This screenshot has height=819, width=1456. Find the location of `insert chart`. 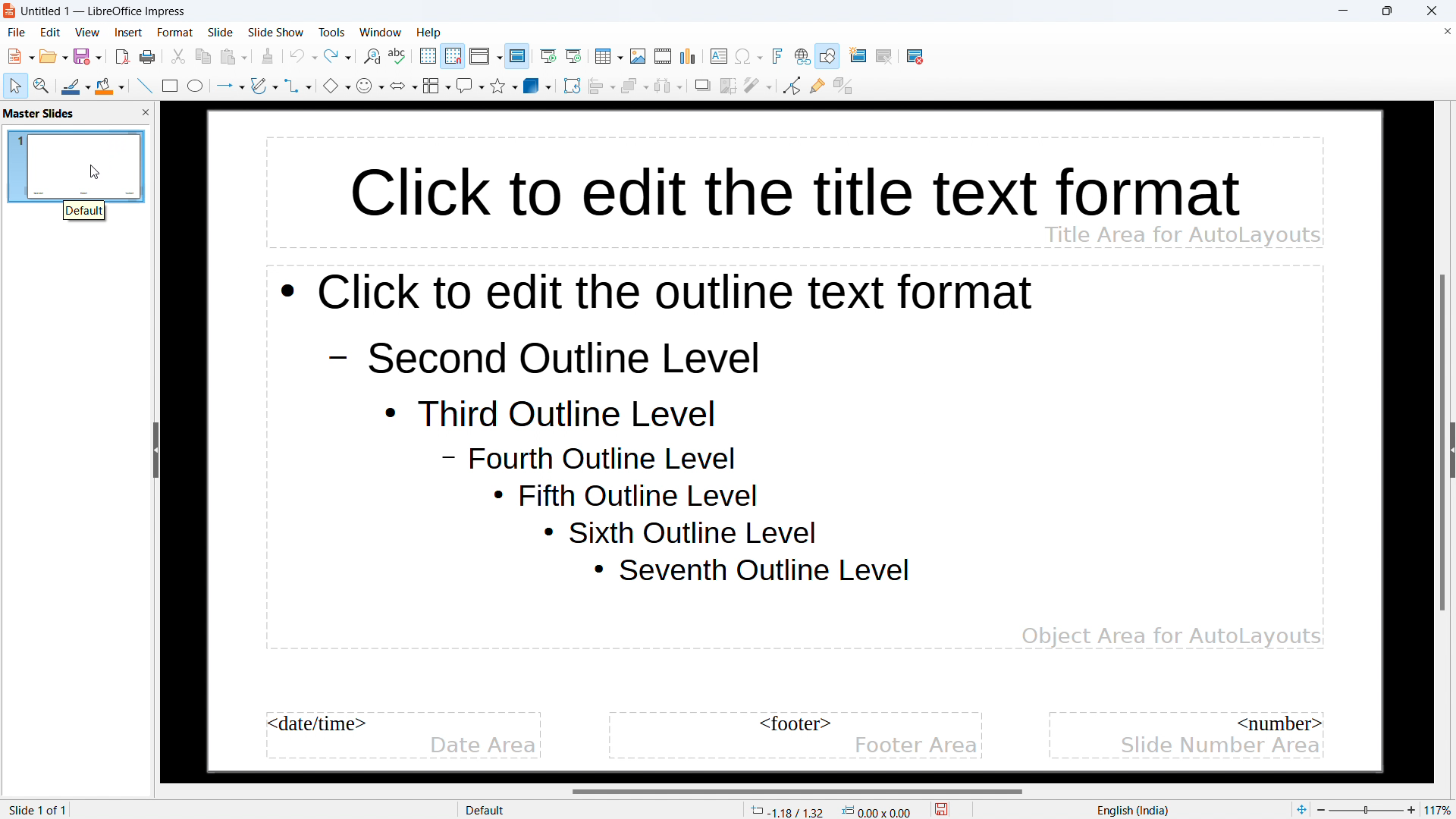

insert chart is located at coordinates (689, 56).